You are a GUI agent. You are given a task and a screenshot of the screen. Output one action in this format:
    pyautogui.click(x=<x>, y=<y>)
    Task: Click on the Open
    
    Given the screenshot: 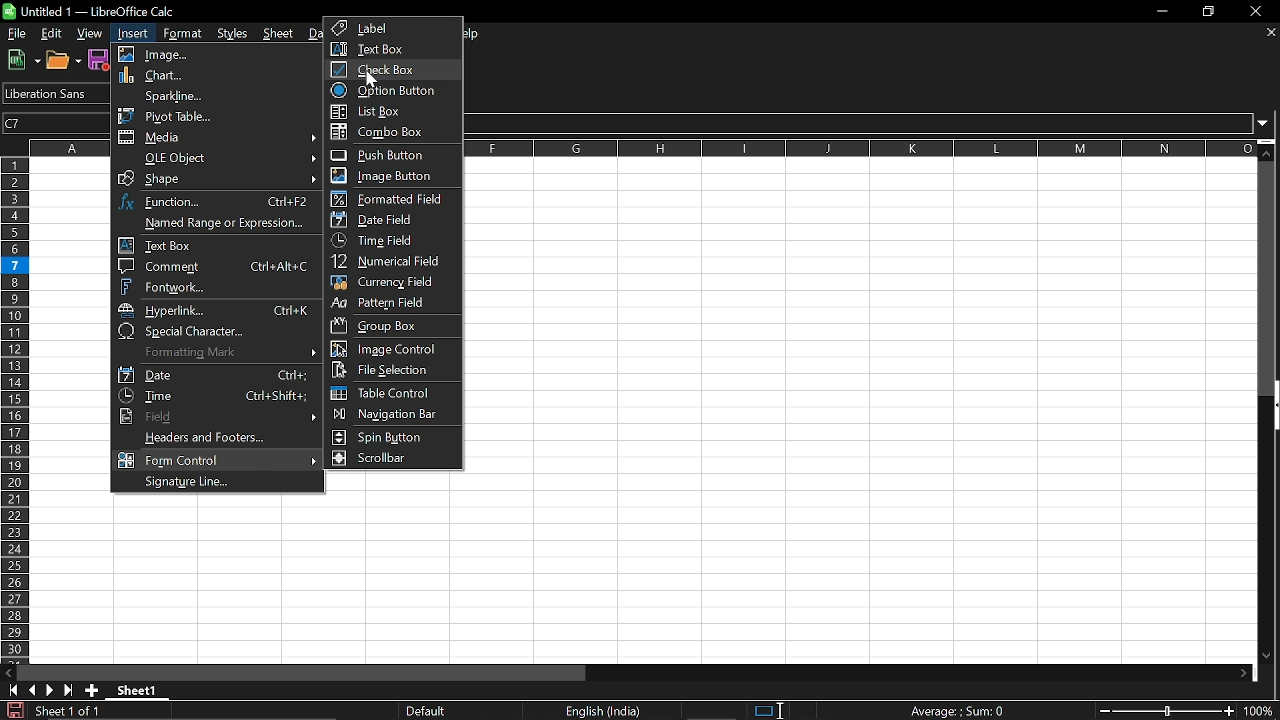 What is the action you would take?
    pyautogui.click(x=64, y=60)
    